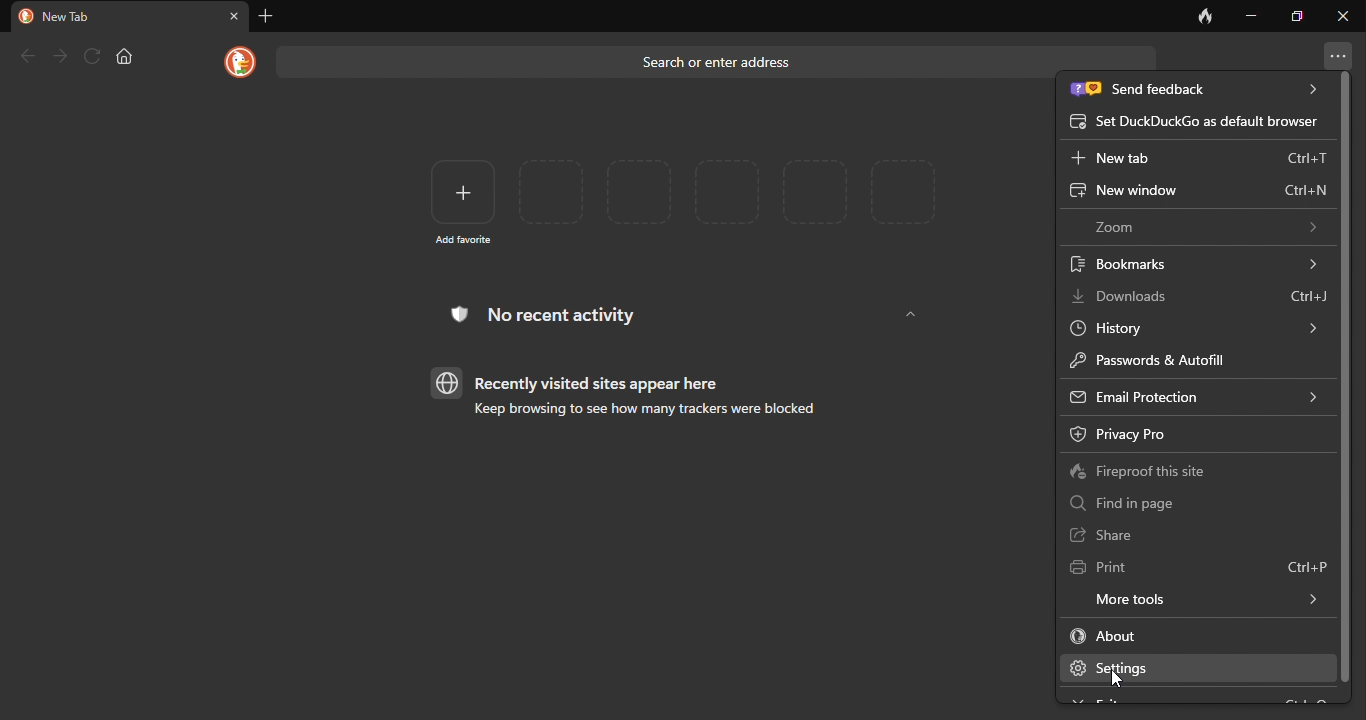 The image size is (1366, 720). What do you see at coordinates (1298, 15) in the screenshot?
I see `maximize` at bounding box center [1298, 15].